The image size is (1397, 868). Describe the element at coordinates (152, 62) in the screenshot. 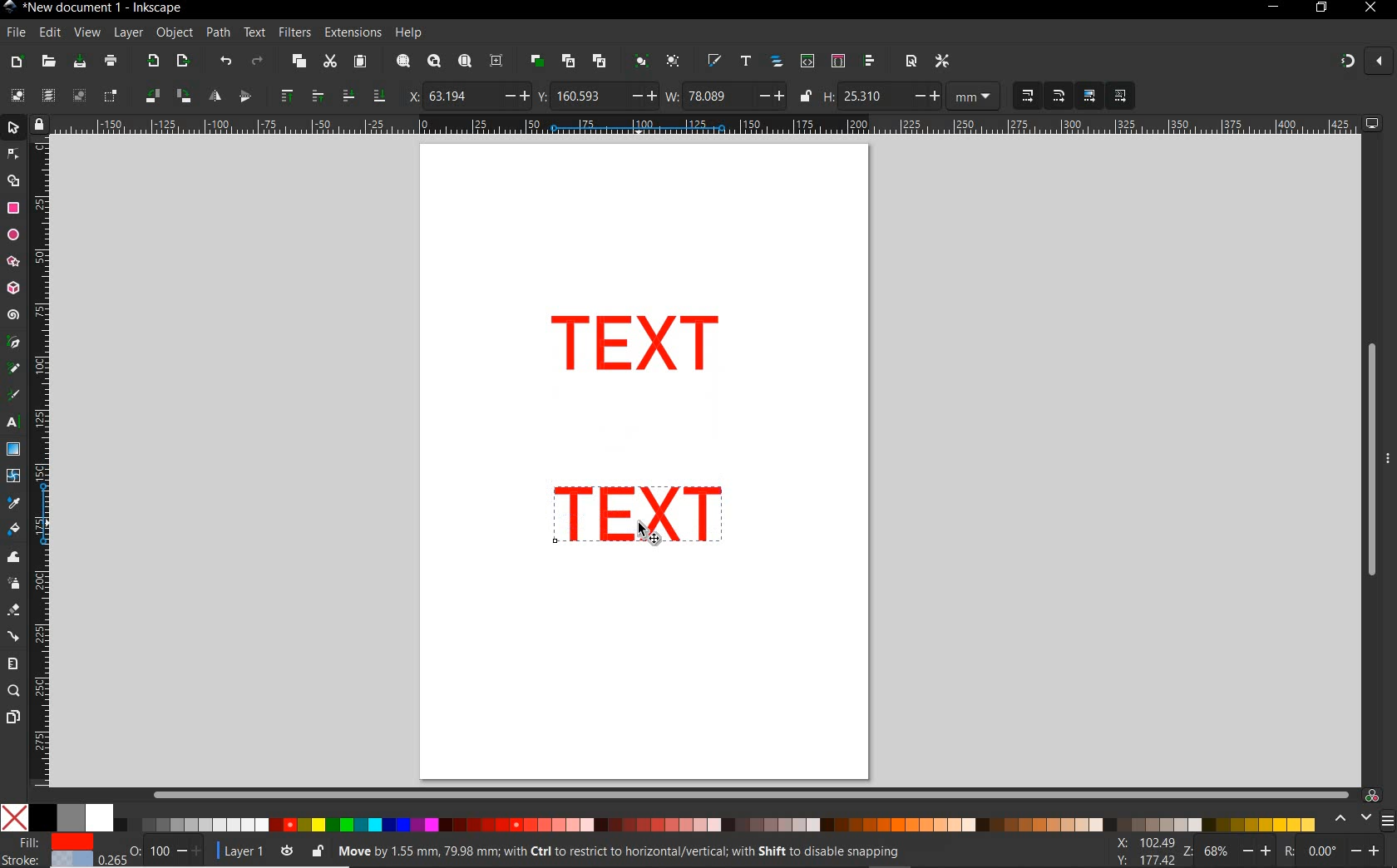

I see `import` at that location.